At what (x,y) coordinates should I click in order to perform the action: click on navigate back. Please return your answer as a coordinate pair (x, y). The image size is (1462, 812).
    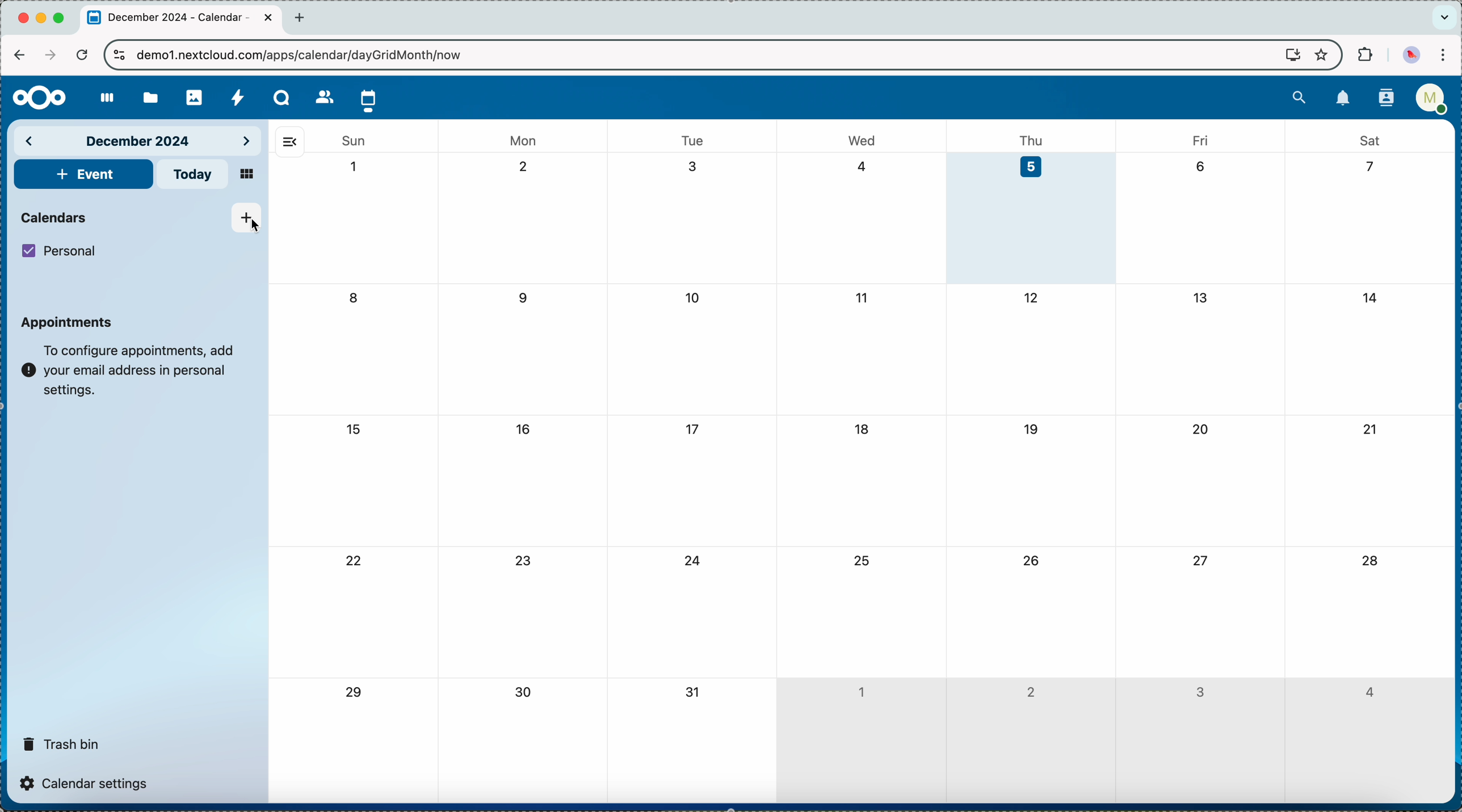
    Looking at the image, I should click on (19, 54).